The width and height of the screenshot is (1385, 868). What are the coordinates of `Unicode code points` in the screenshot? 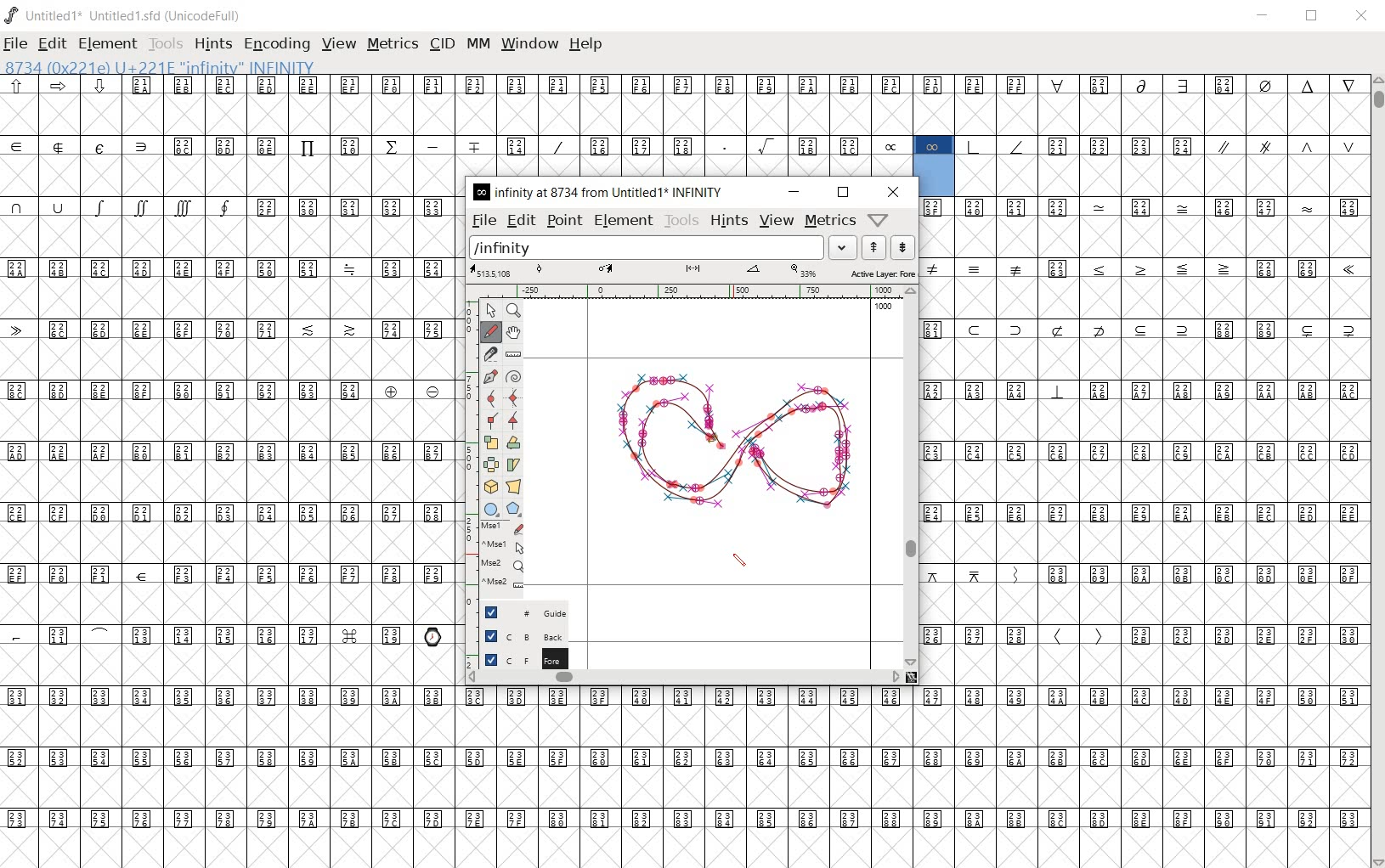 It's located at (1259, 573).